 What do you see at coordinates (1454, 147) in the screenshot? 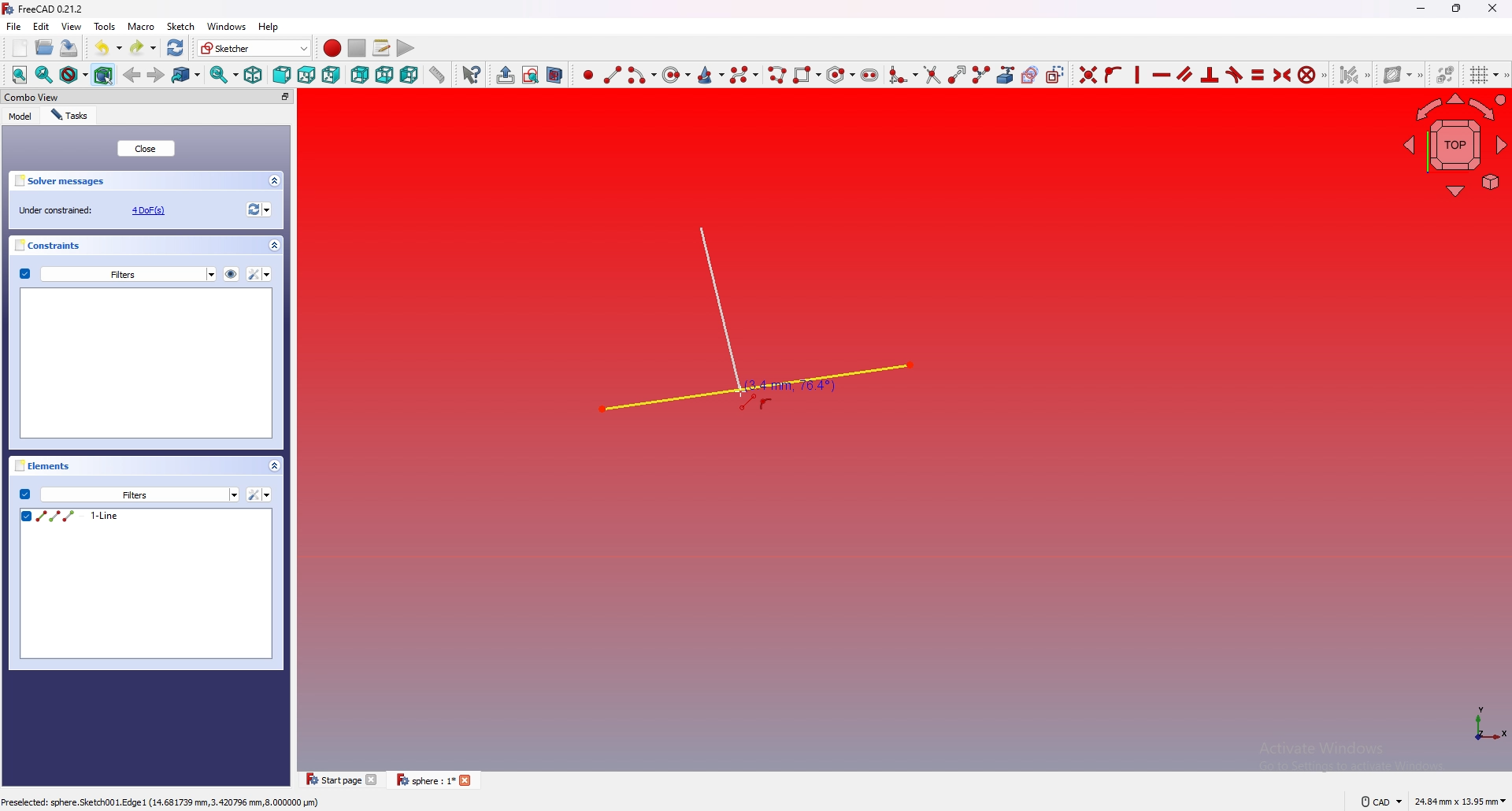
I see `View` at bounding box center [1454, 147].